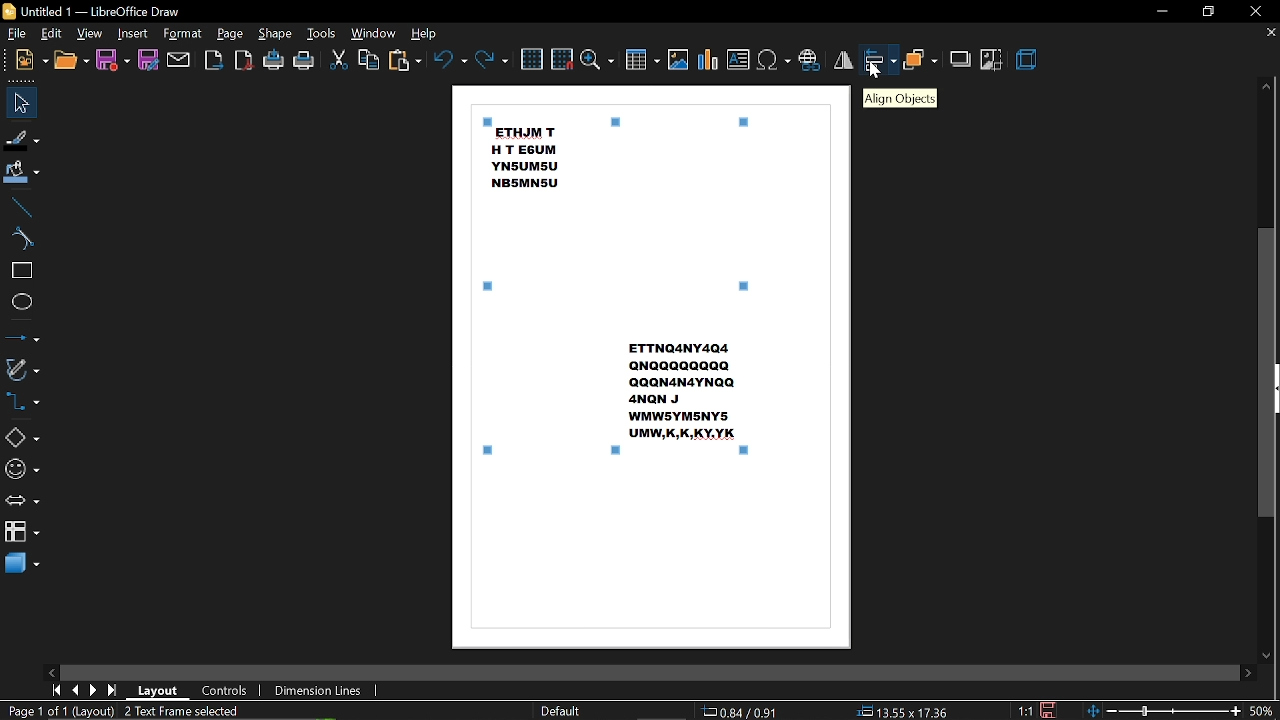 The width and height of the screenshot is (1280, 720). What do you see at coordinates (96, 690) in the screenshot?
I see `next page` at bounding box center [96, 690].